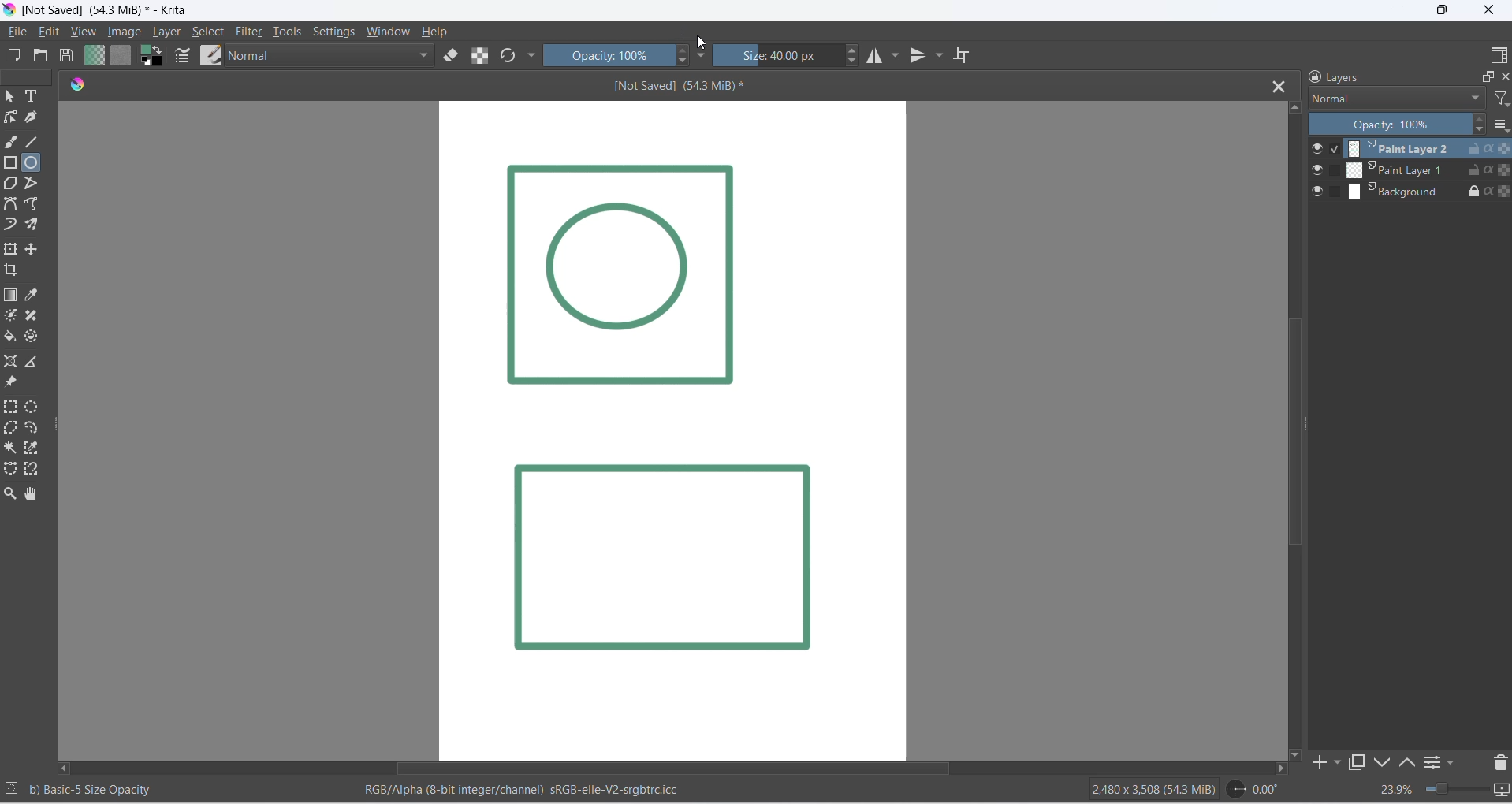 The height and width of the screenshot is (804, 1512). What do you see at coordinates (811, 769) in the screenshot?
I see `scrollbar` at bounding box center [811, 769].